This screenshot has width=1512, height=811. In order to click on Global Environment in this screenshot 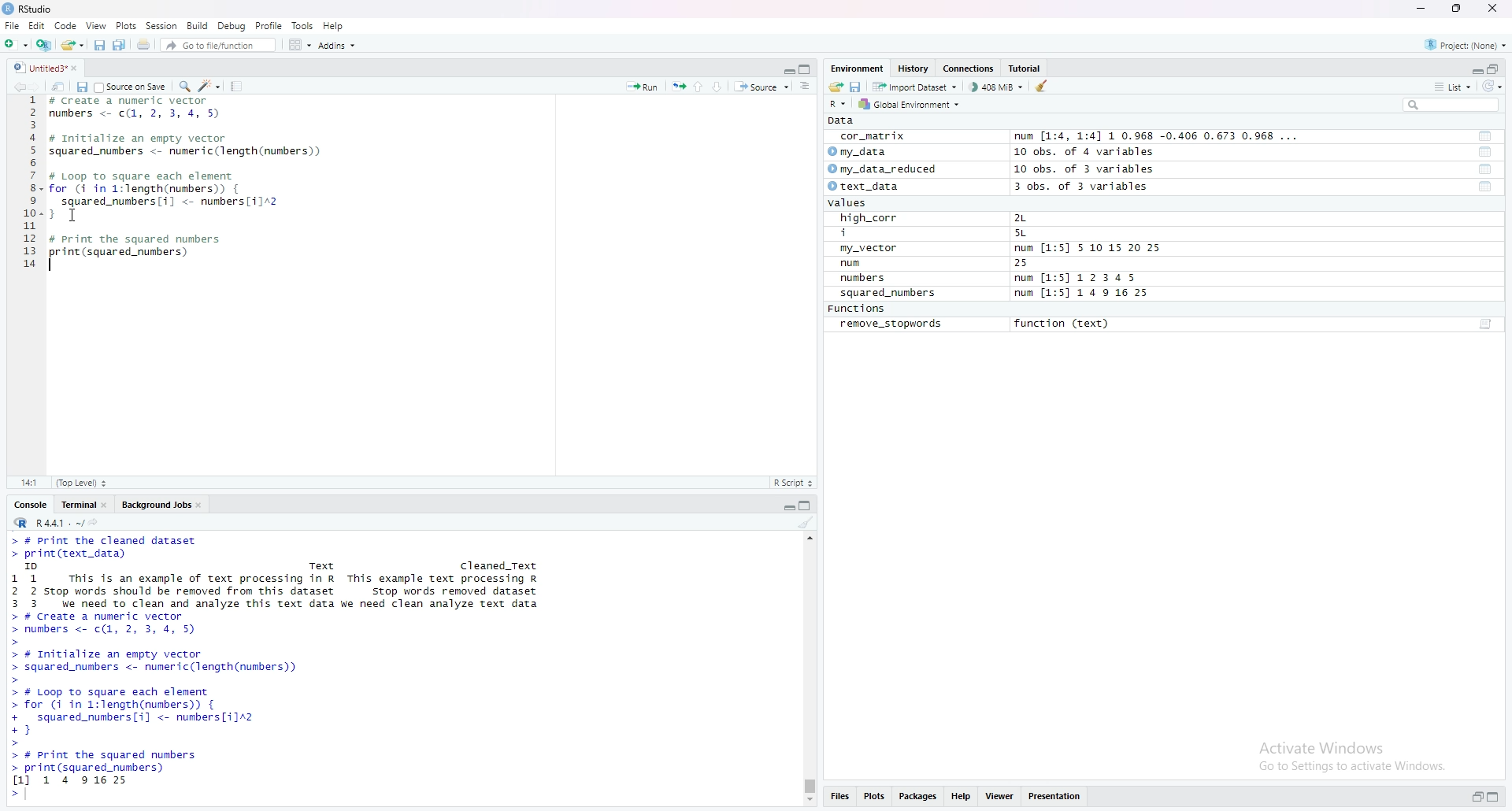, I will do `click(910, 104)`.